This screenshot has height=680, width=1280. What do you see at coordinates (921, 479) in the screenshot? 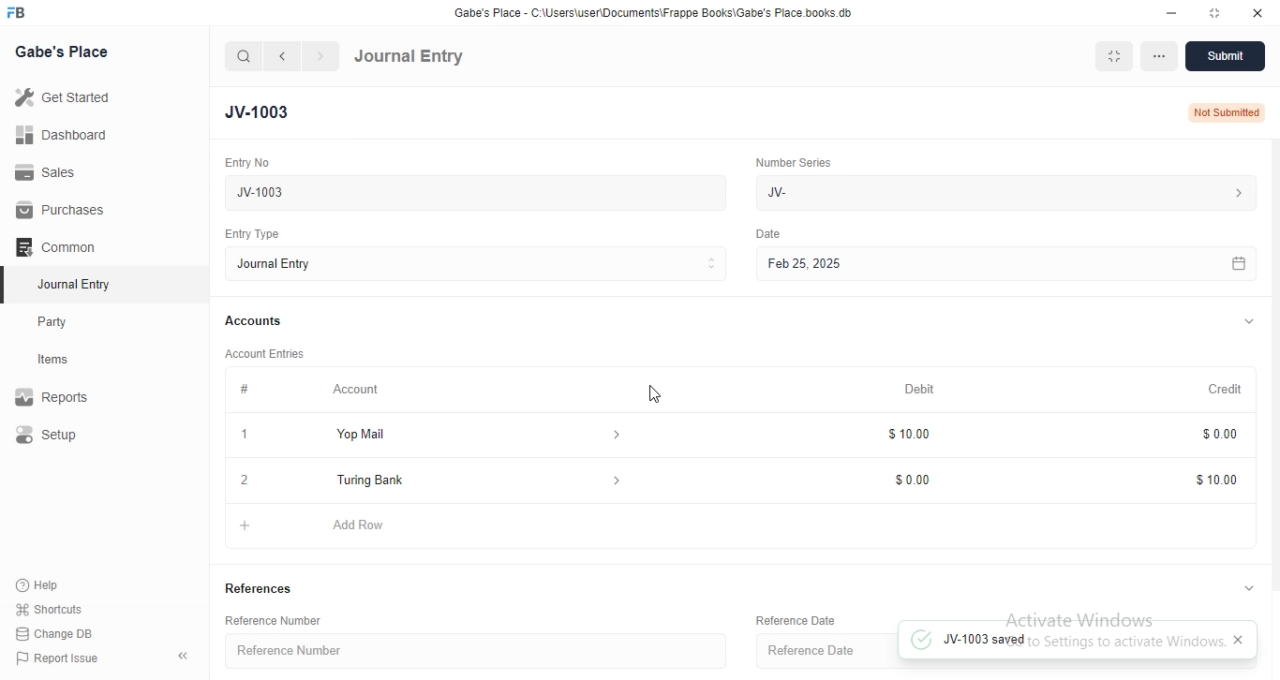
I see `$0.00` at bounding box center [921, 479].